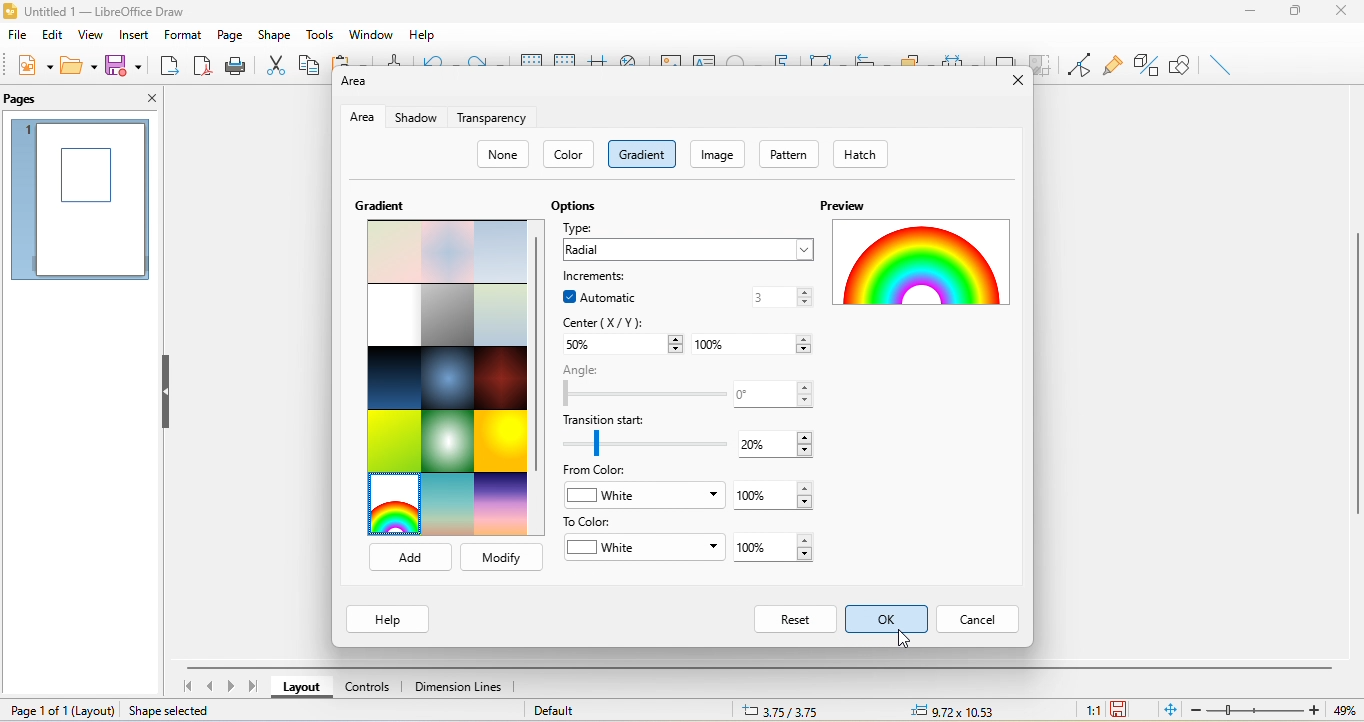 The height and width of the screenshot is (722, 1364). Describe the element at coordinates (236, 68) in the screenshot. I see `print` at that location.